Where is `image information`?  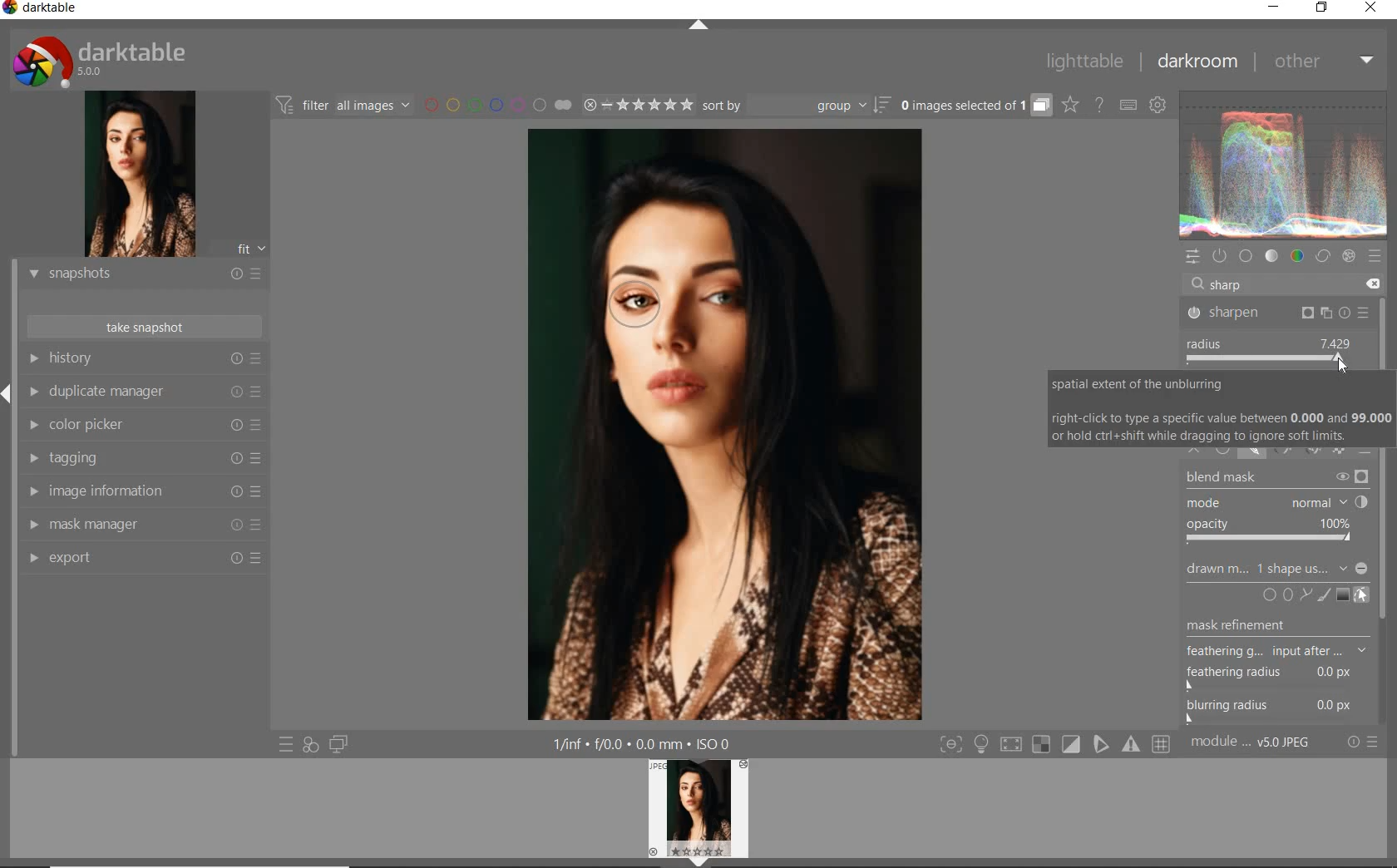
image information is located at coordinates (143, 491).